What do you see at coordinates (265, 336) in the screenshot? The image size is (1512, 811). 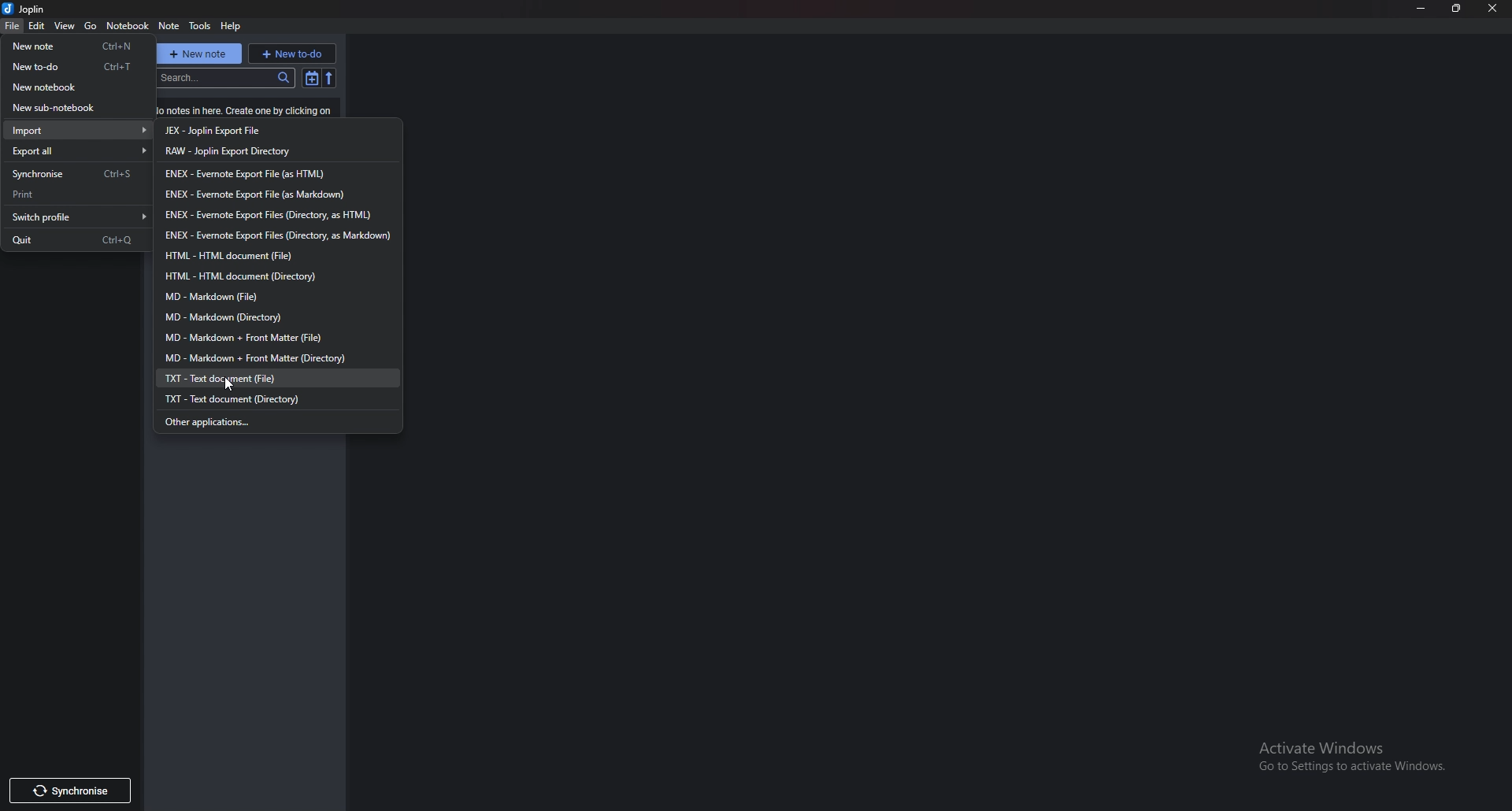 I see `markdown + front matter file` at bounding box center [265, 336].